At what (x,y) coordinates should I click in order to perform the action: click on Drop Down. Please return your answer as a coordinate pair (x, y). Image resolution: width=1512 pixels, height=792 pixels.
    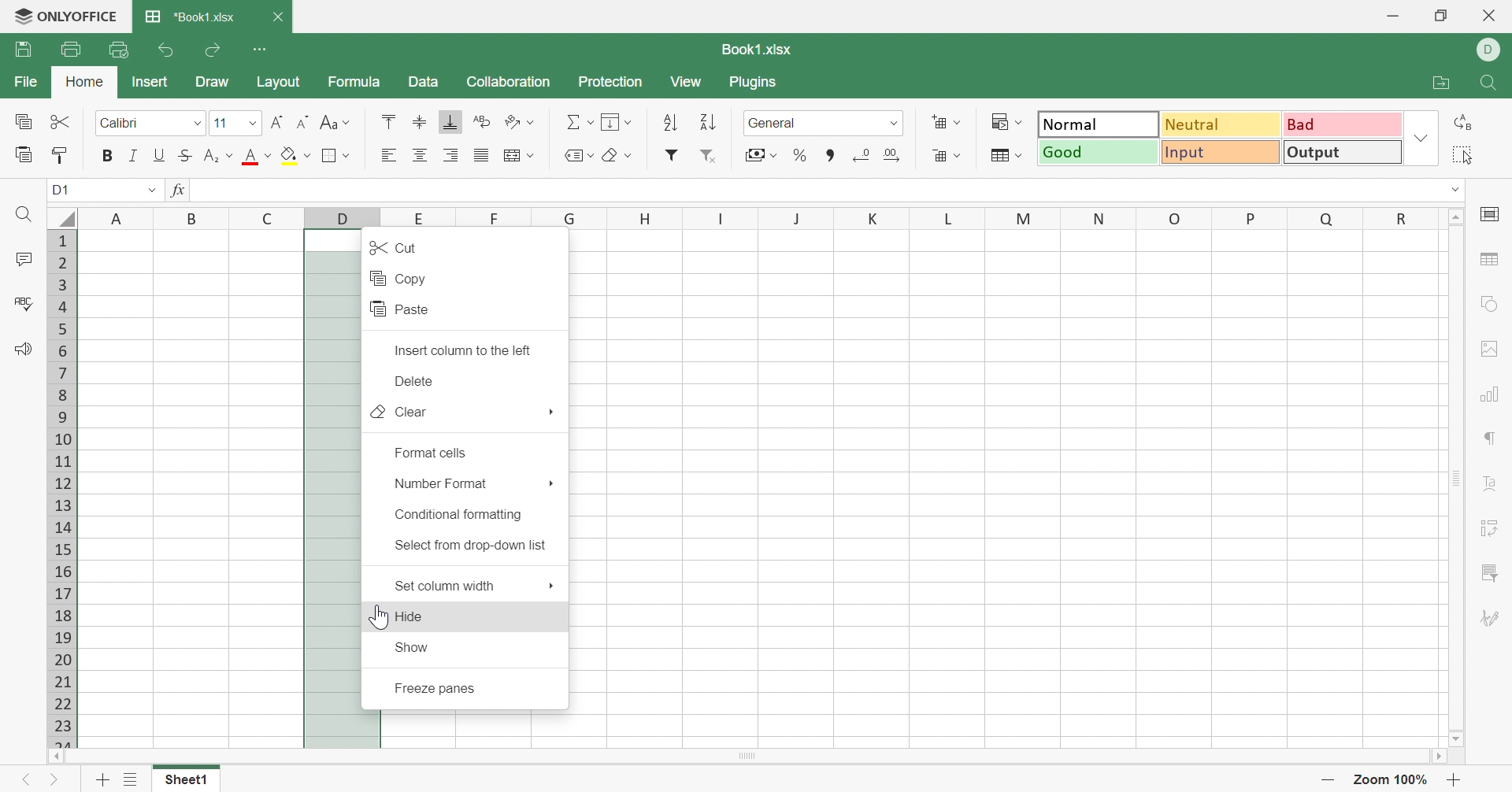
    Looking at the image, I should click on (532, 156).